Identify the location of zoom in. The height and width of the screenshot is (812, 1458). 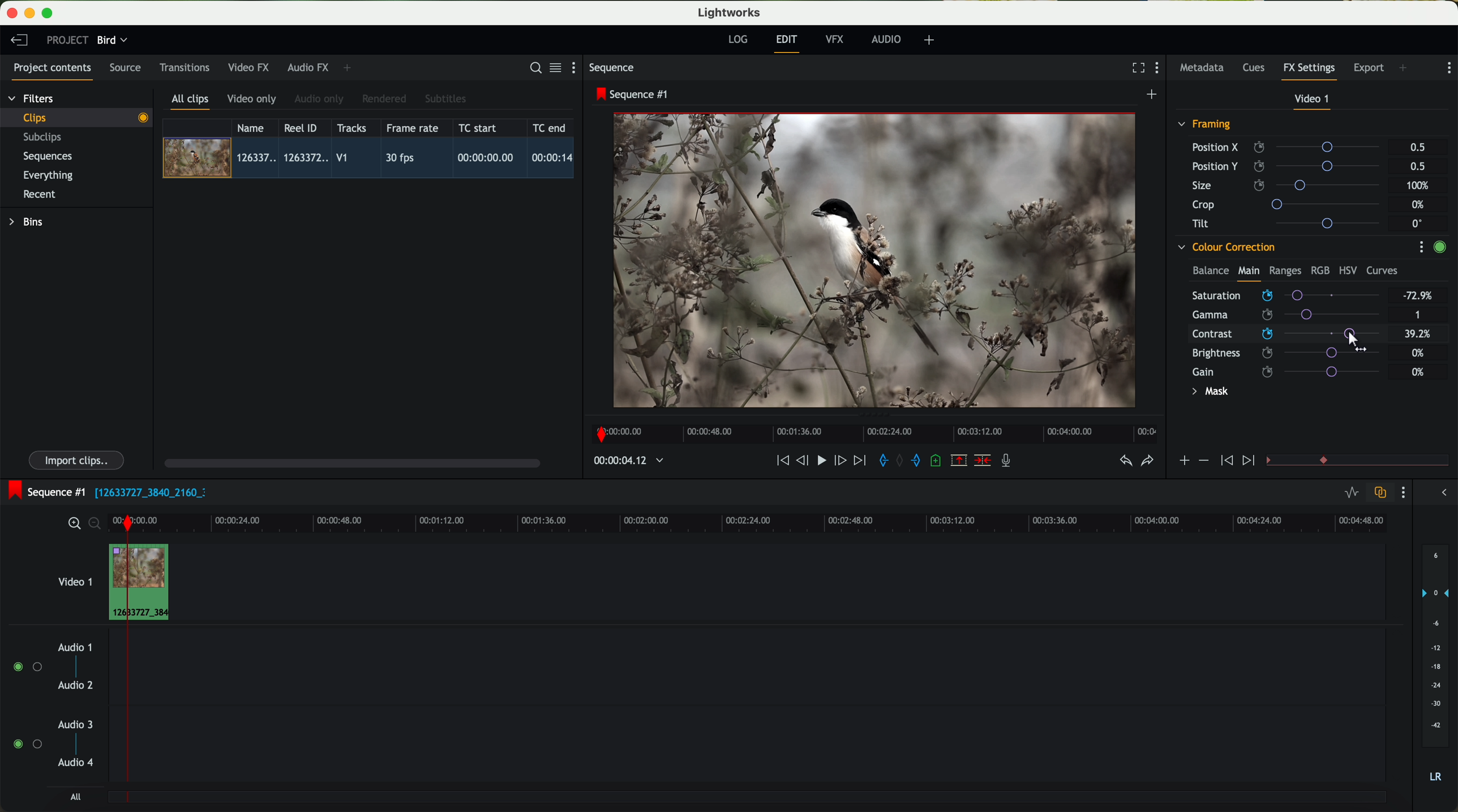
(72, 524).